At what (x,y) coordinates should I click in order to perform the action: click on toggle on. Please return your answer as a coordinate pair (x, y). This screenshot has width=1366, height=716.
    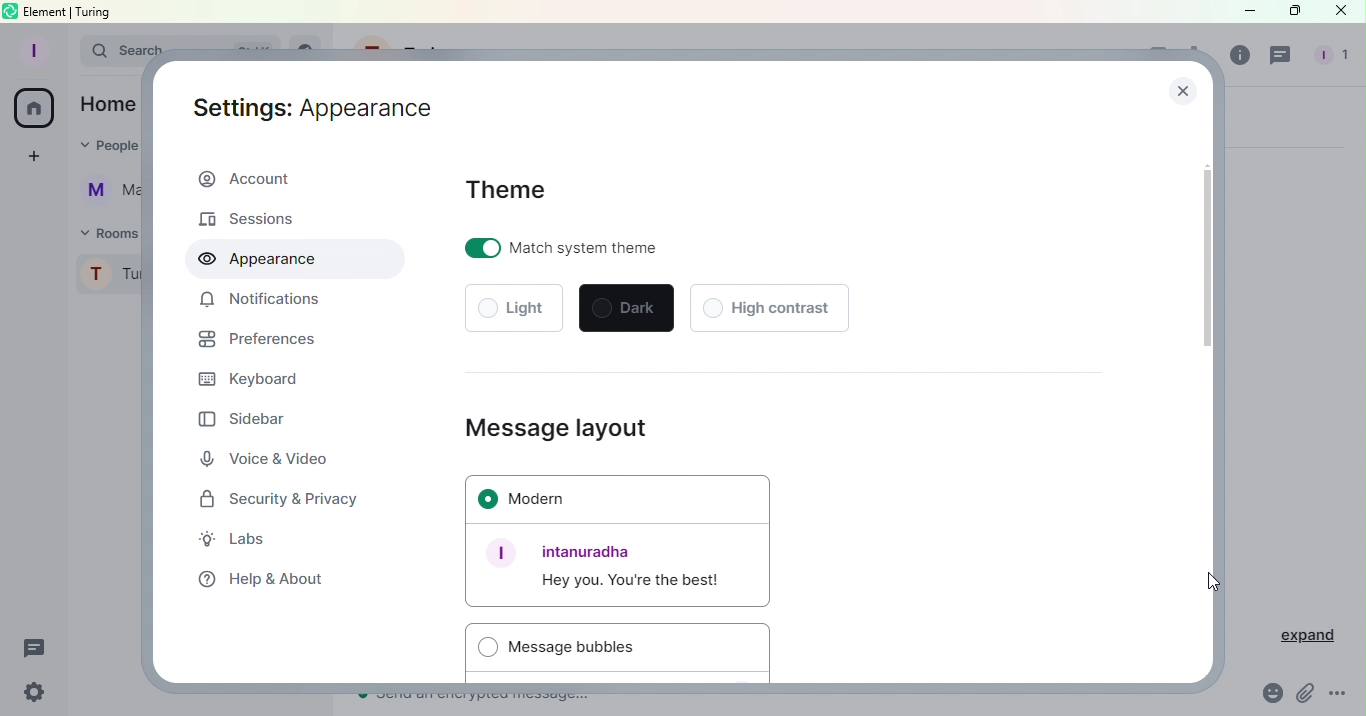
    Looking at the image, I should click on (482, 248).